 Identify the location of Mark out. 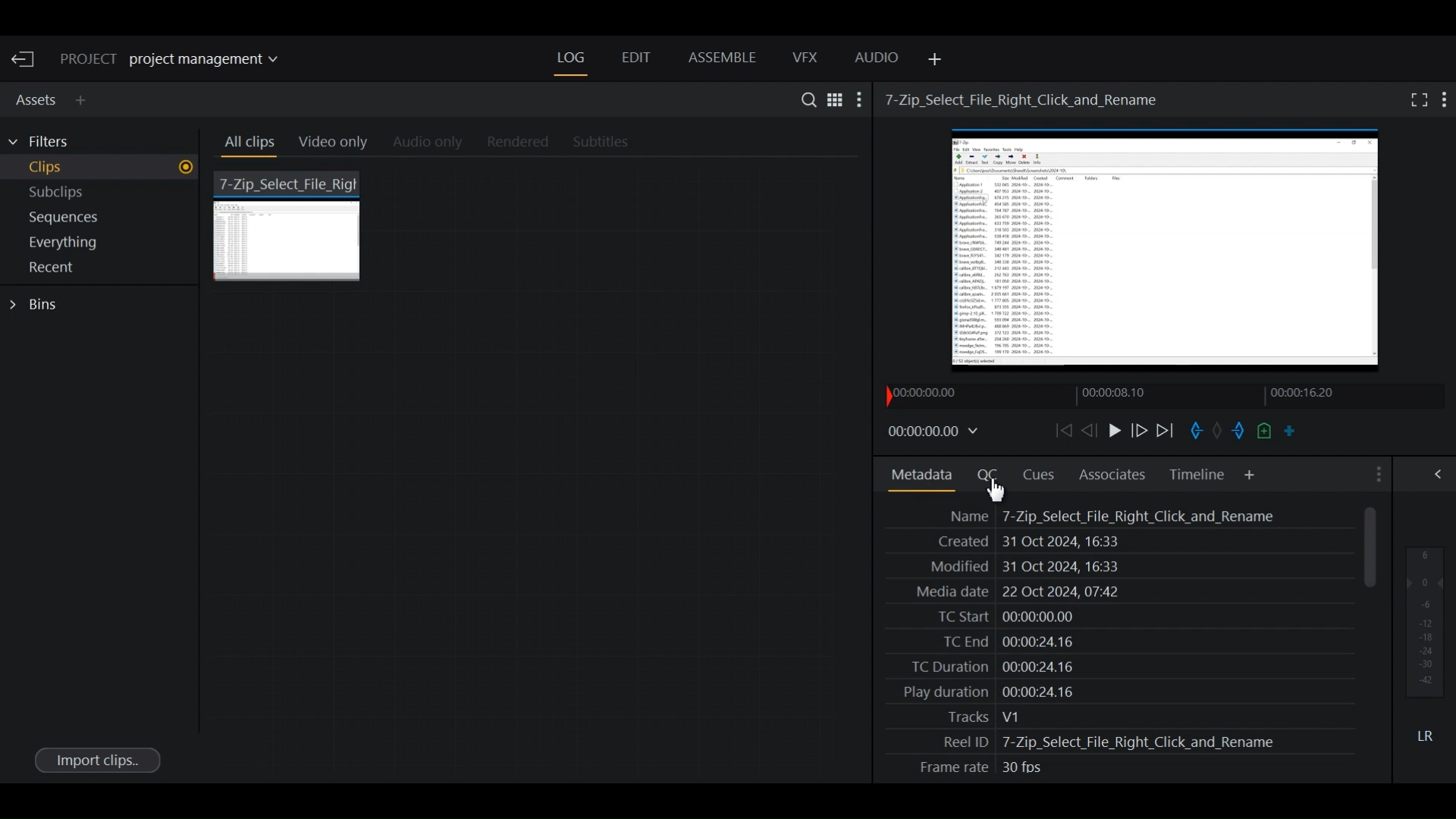
(1237, 431).